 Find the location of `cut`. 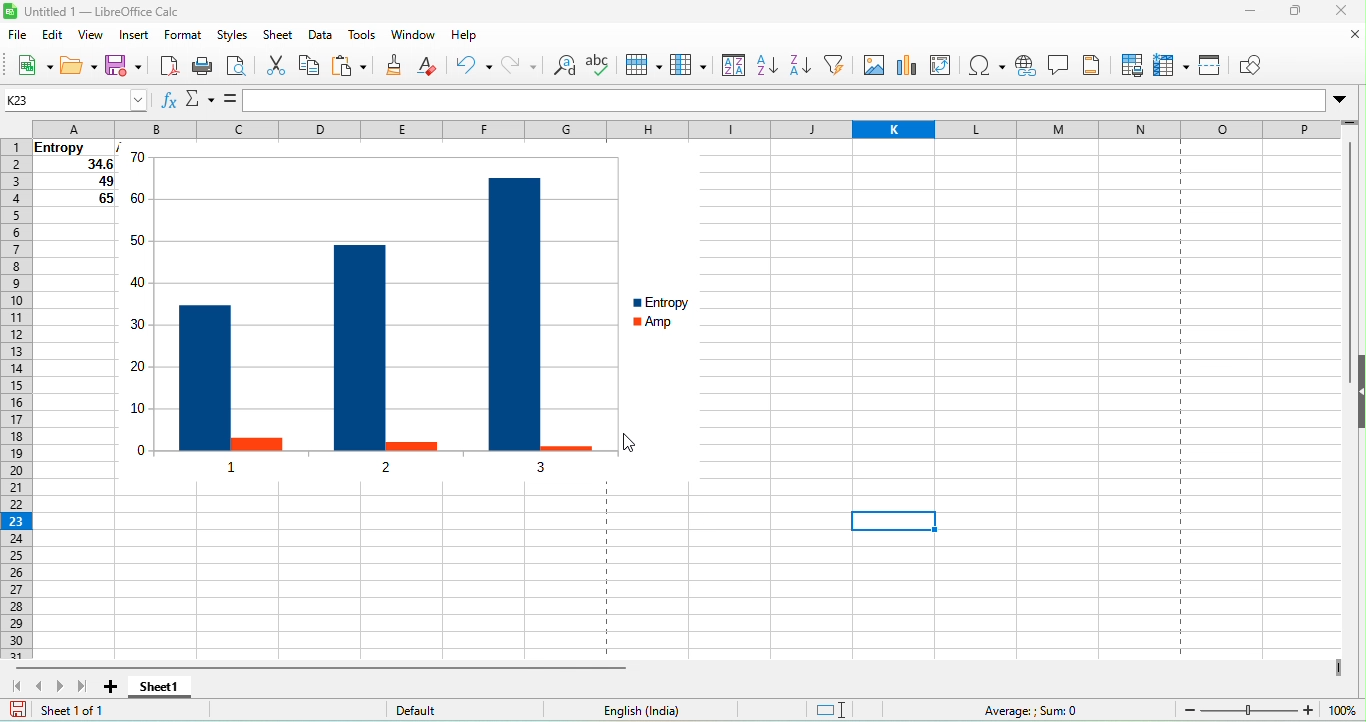

cut is located at coordinates (271, 65).